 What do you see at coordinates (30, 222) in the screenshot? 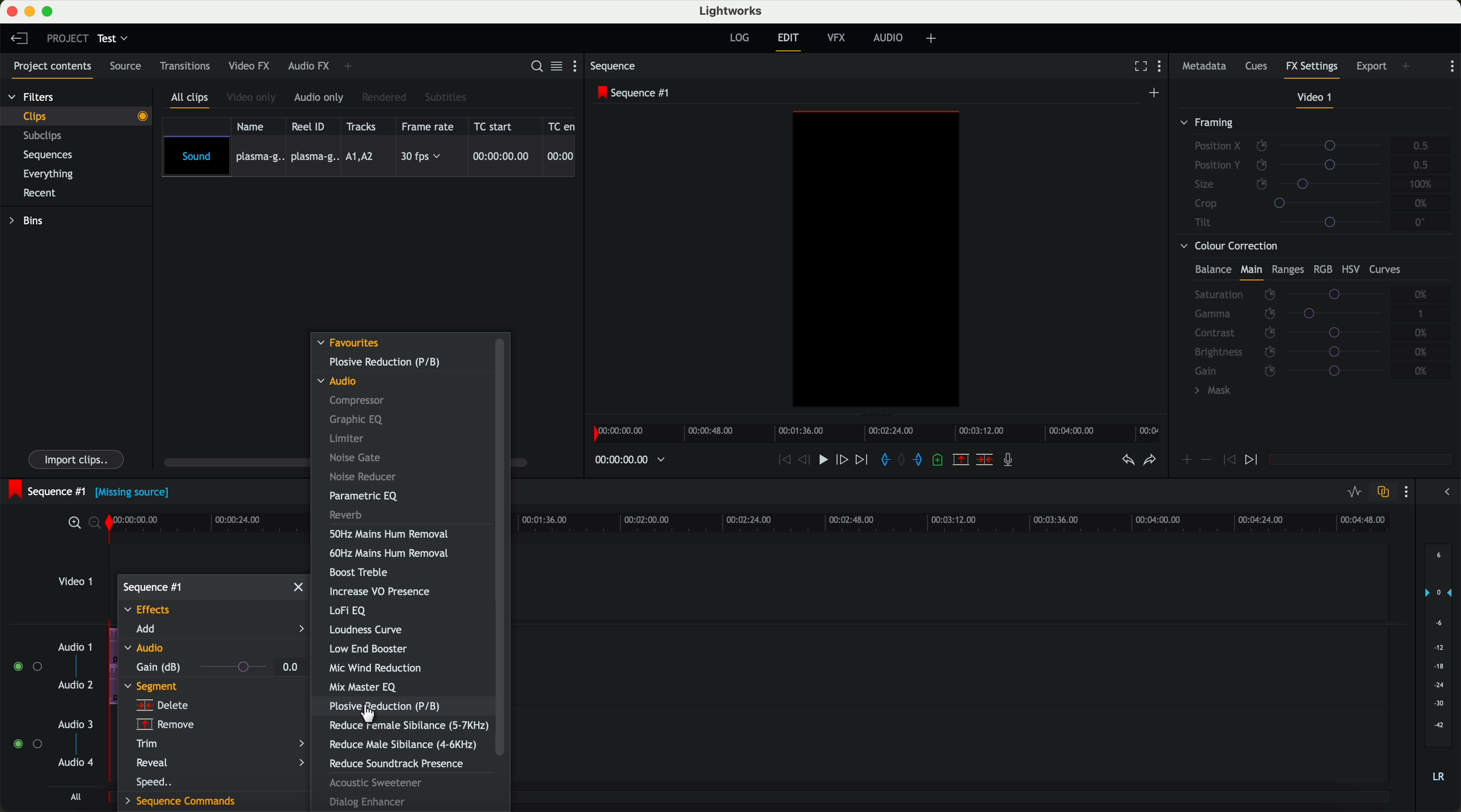
I see `bins tab` at bounding box center [30, 222].